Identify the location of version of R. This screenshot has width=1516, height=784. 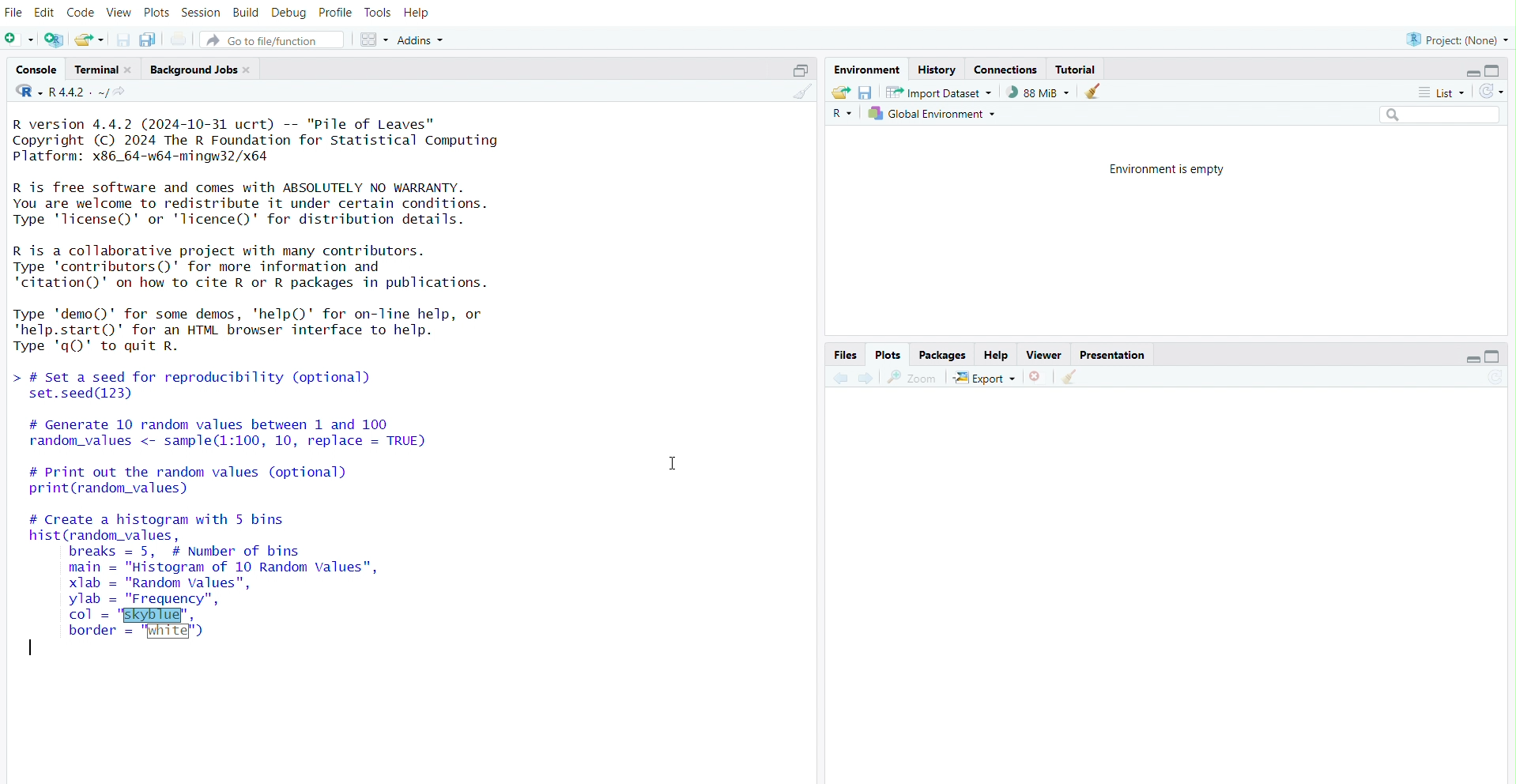
(289, 138).